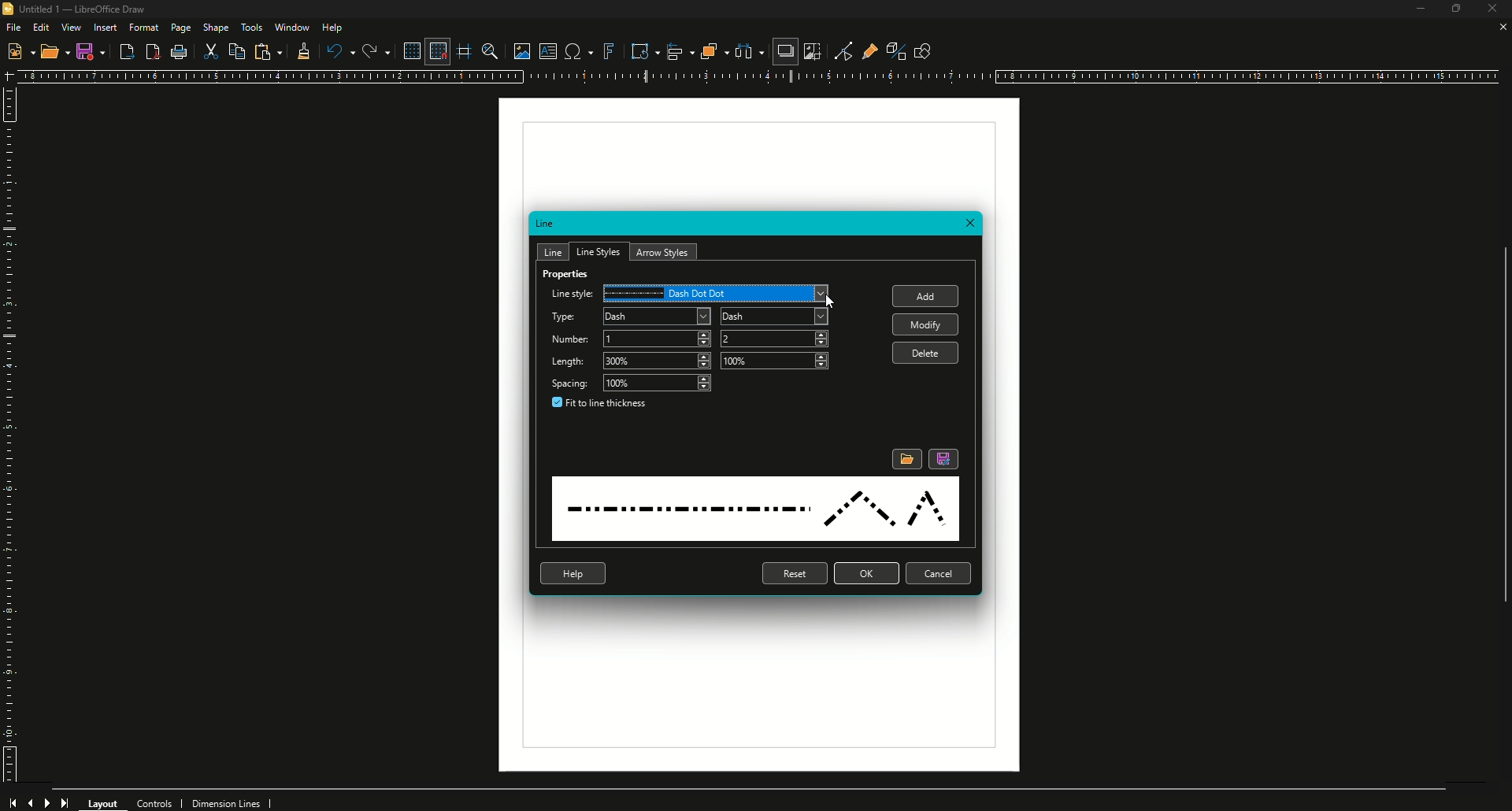  I want to click on Edit, so click(41, 27).